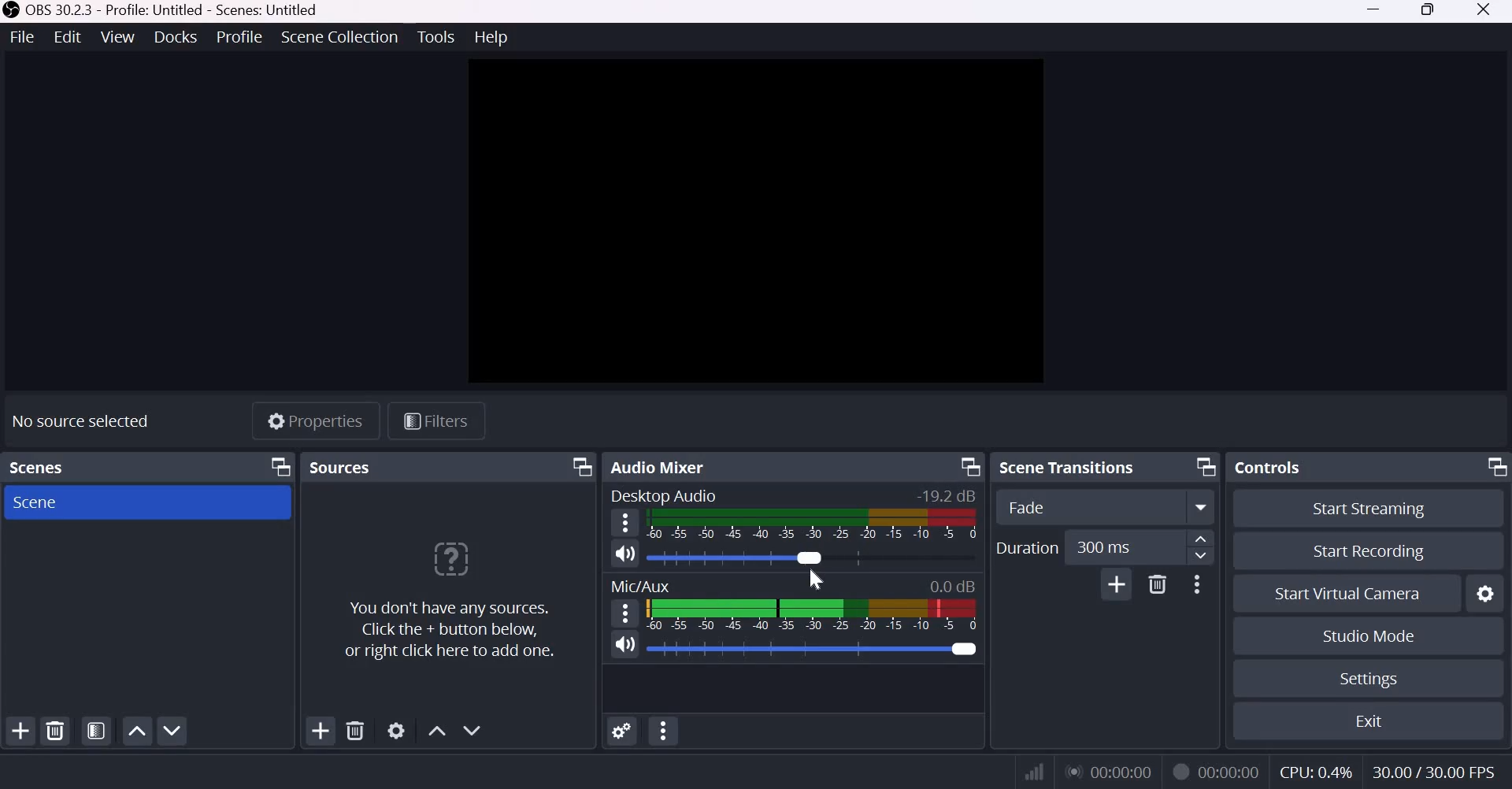  Describe the element at coordinates (1367, 636) in the screenshot. I see `Studio Mode` at that location.